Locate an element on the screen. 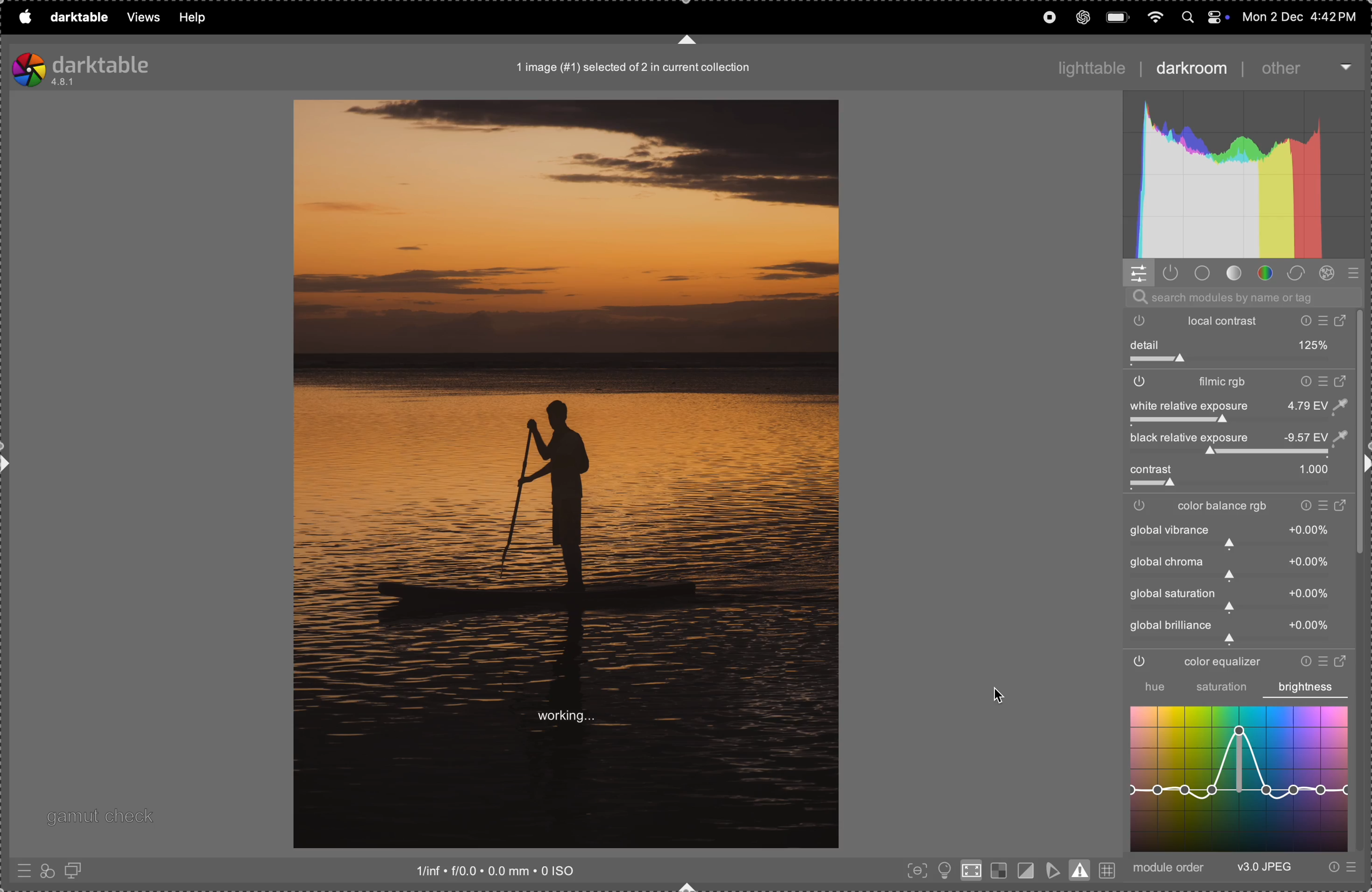  toggle indication of raw exposure is located at coordinates (997, 871).